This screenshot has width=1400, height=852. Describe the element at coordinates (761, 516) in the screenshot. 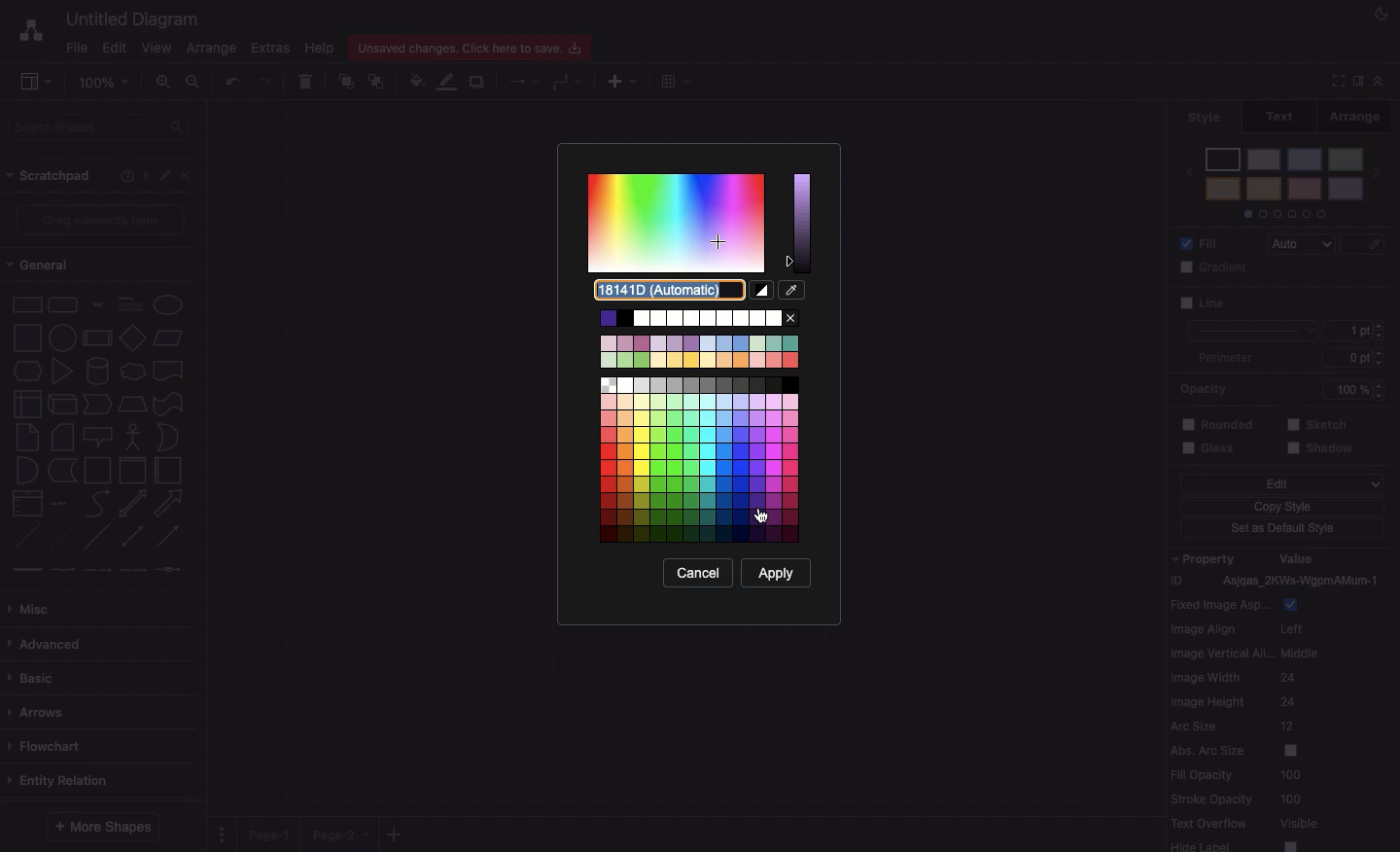

I see `cursor` at that location.